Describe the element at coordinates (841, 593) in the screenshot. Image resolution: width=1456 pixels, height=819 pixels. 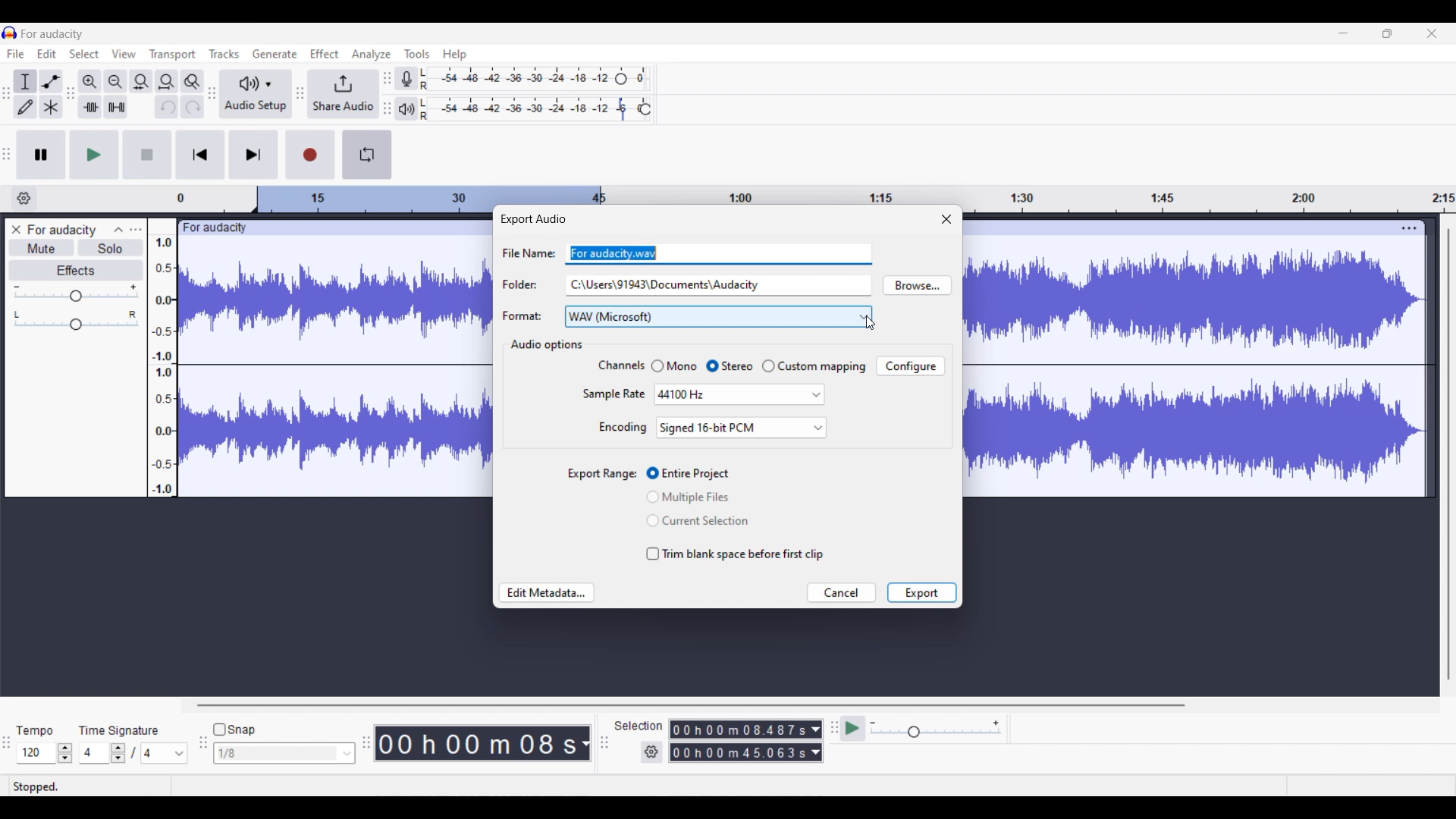
I see `Cancel` at that location.